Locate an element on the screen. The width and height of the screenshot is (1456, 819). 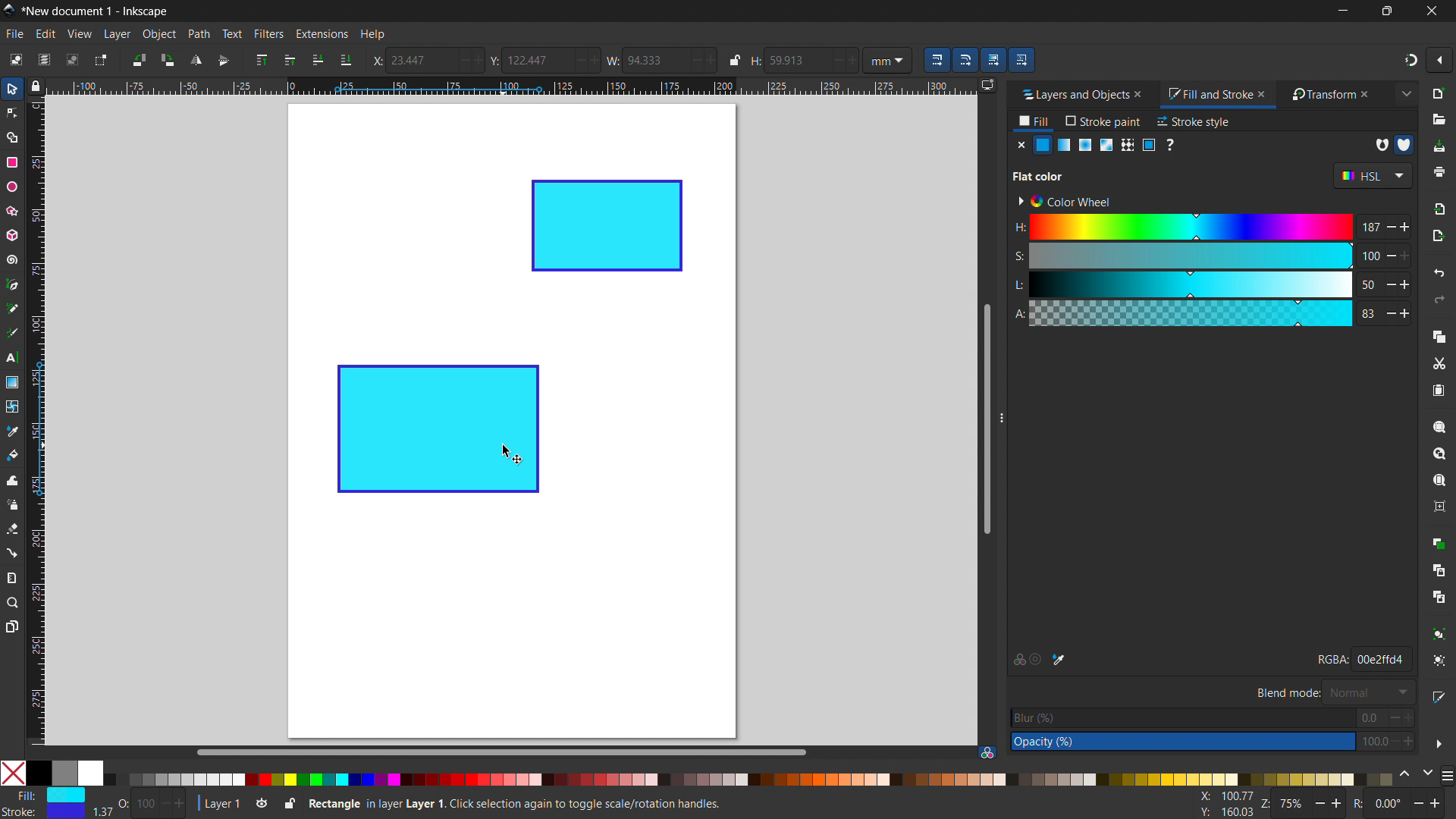
blend mode: Normal is located at coordinates (1333, 692).